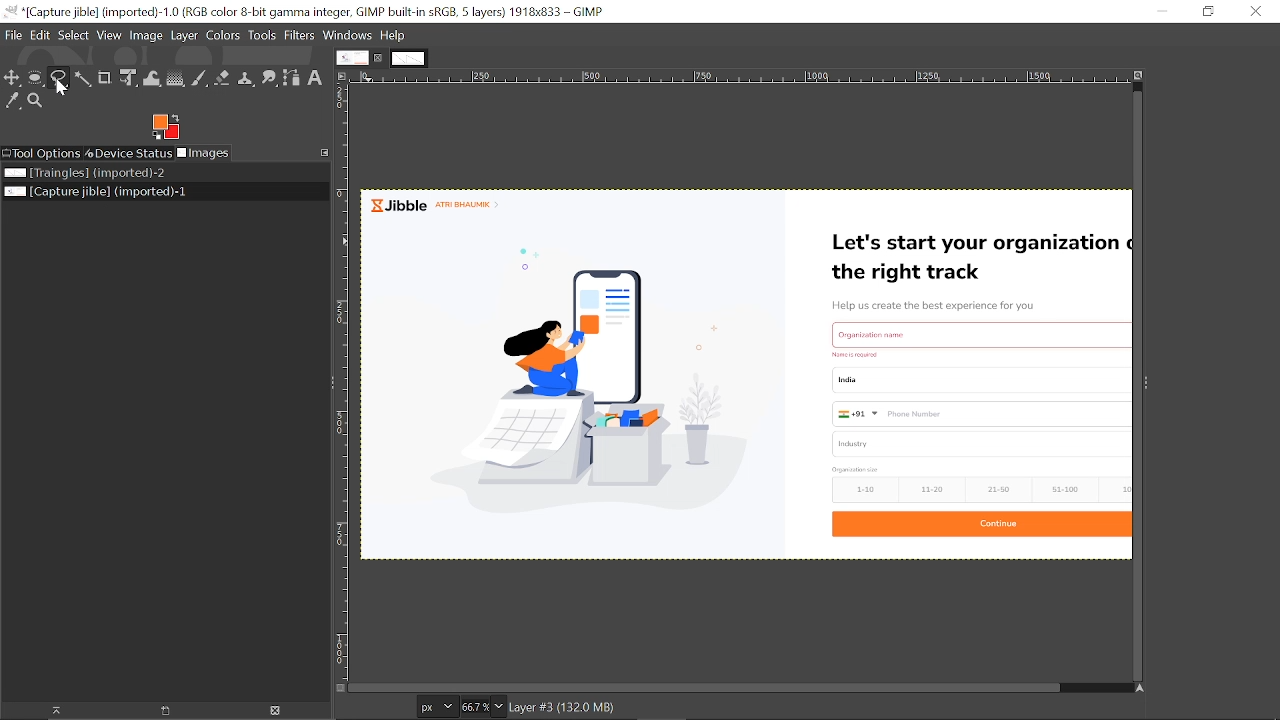 Image resolution: width=1280 pixels, height=720 pixels. What do you see at coordinates (336, 688) in the screenshot?
I see `Toggle quick mask on/off` at bounding box center [336, 688].